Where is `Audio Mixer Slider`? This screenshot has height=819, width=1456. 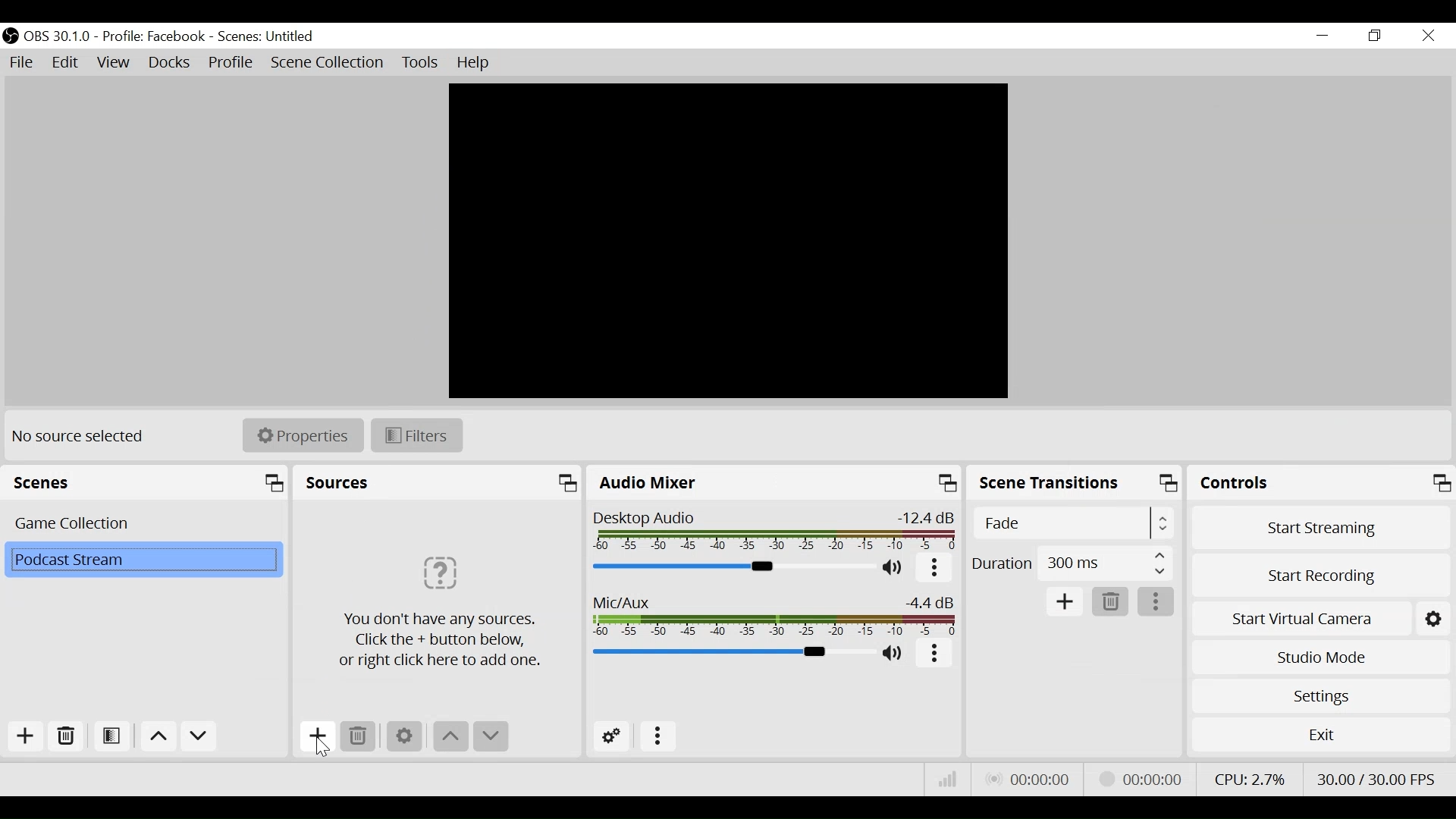 Audio Mixer Slider is located at coordinates (733, 569).